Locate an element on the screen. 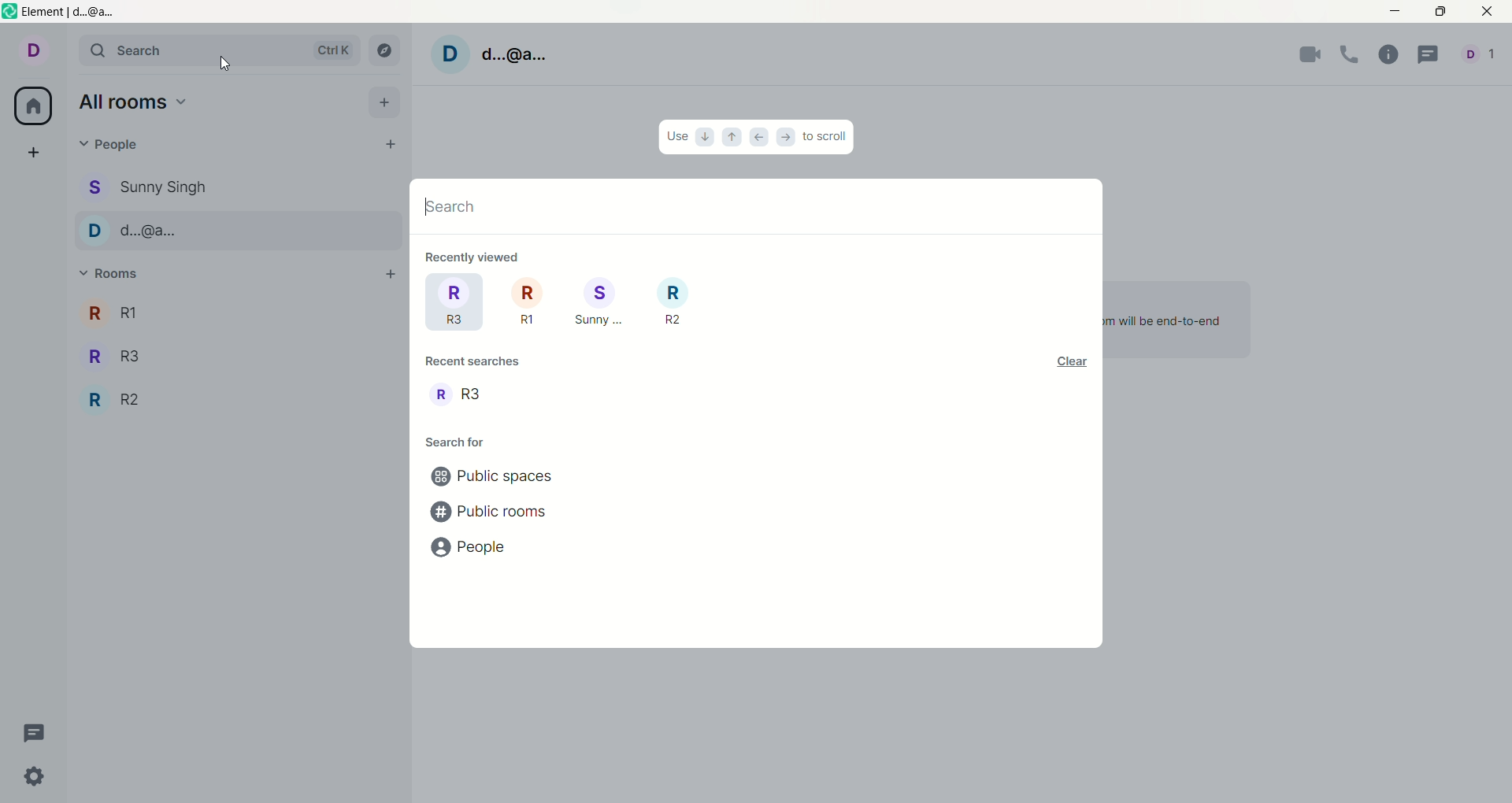 The width and height of the screenshot is (1512, 803). R1 is located at coordinates (527, 303).